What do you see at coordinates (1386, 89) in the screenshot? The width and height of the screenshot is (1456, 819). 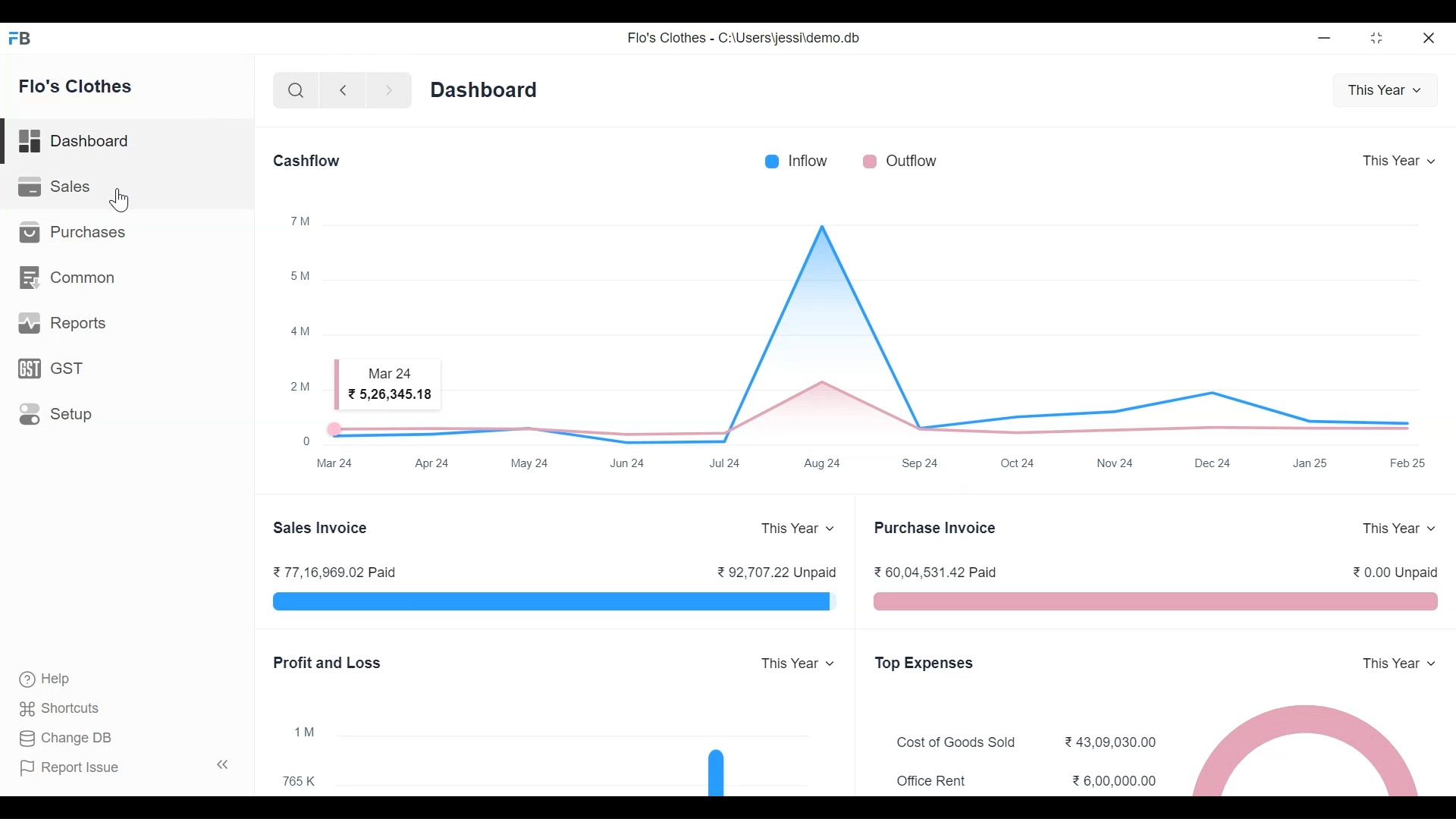 I see `This Year v` at bounding box center [1386, 89].